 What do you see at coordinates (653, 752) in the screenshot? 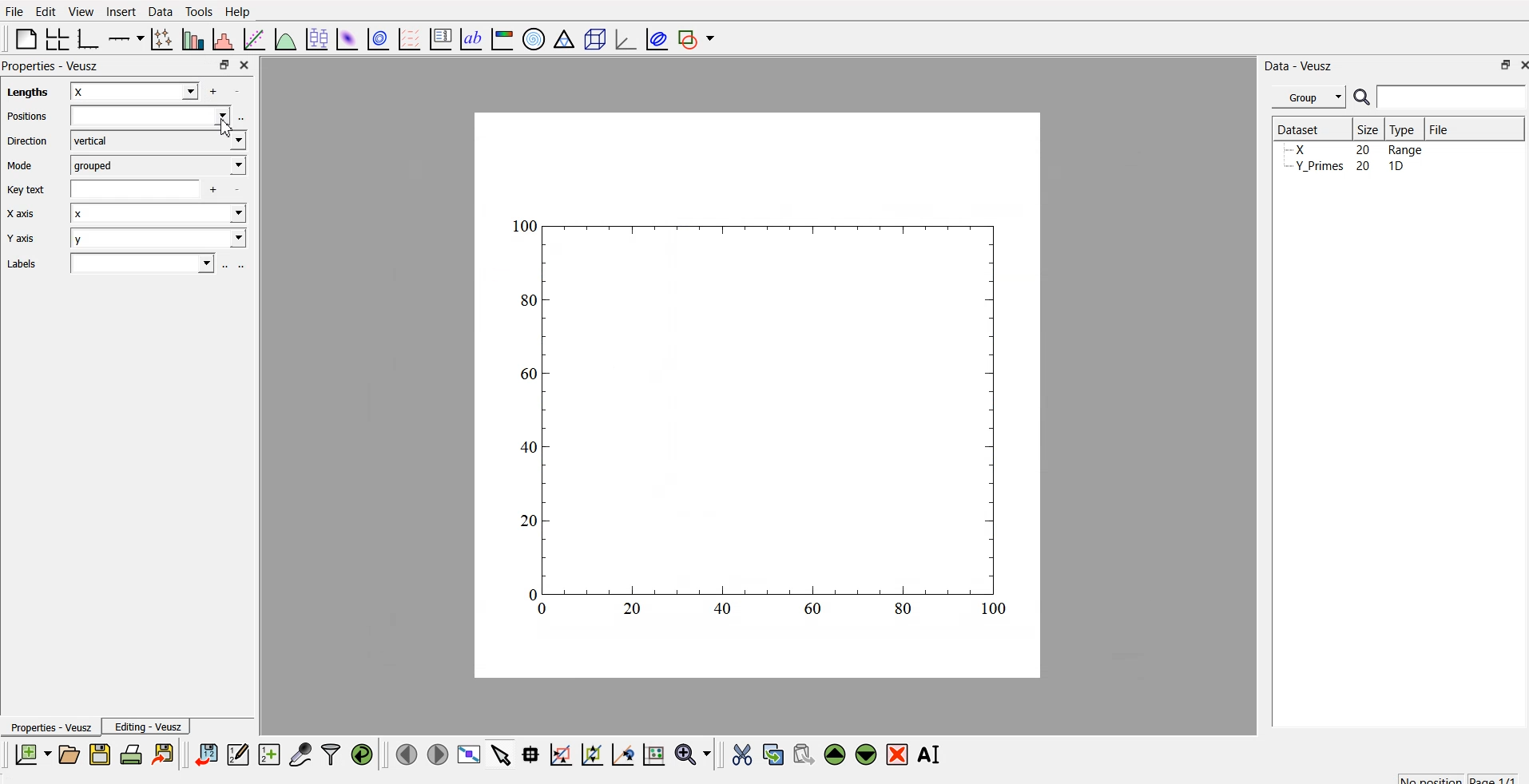
I see `reset graph axes` at bounding box center [653, 752].